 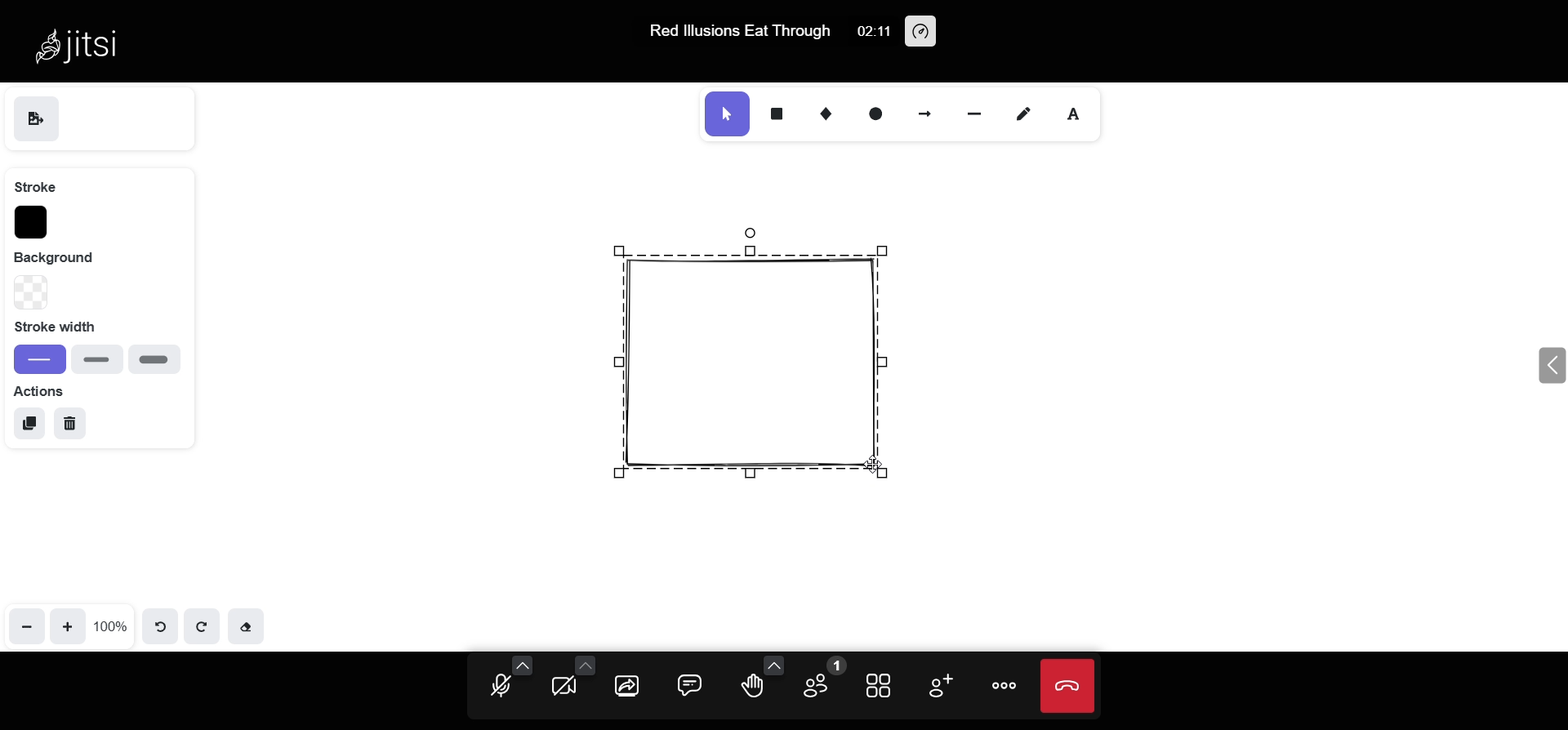 I want to click on stroke, so click(x=35, y=185).